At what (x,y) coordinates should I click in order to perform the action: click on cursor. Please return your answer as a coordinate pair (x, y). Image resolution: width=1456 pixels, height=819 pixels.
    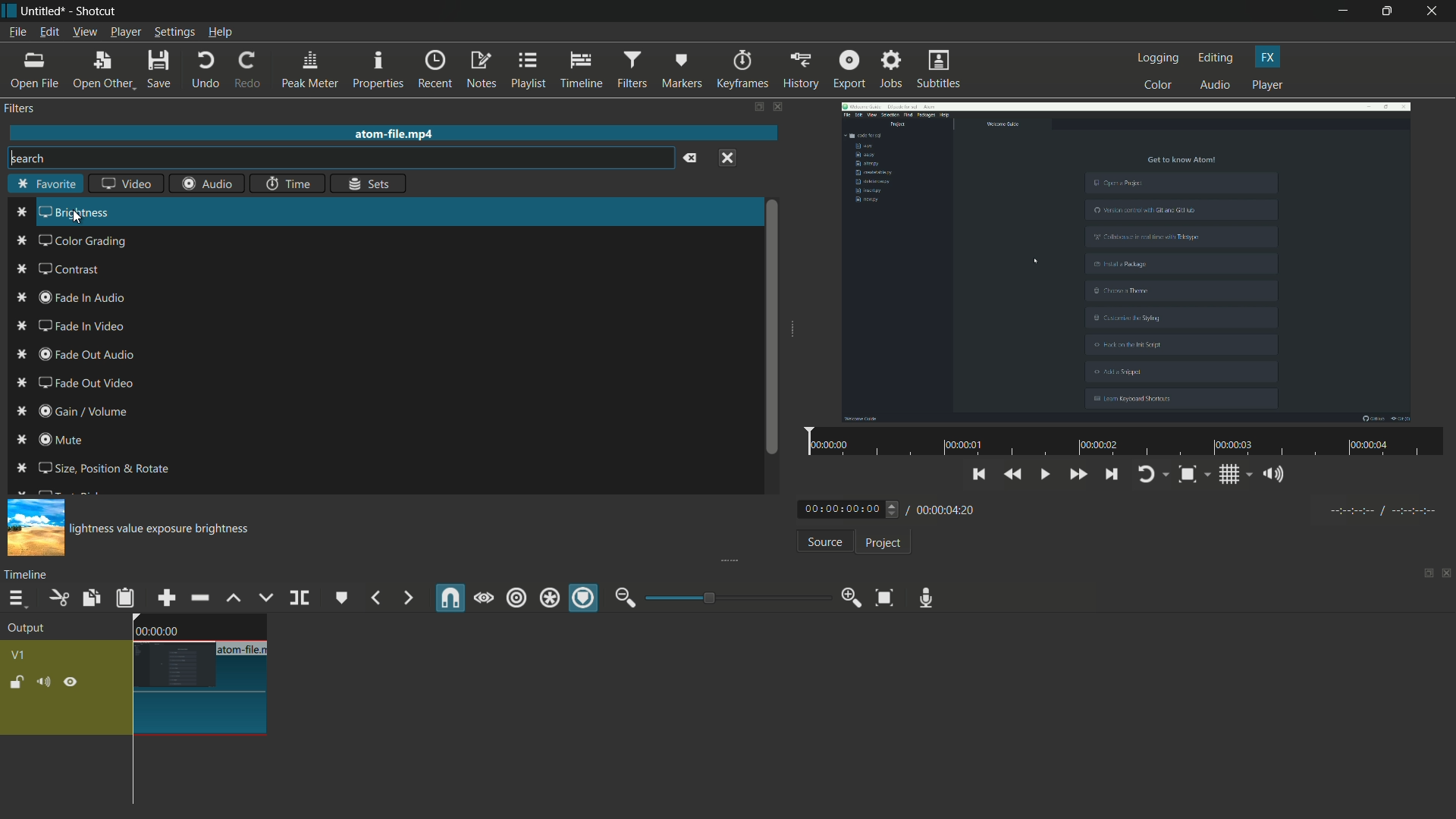
    Looking at the image, I should click on (77, 216).